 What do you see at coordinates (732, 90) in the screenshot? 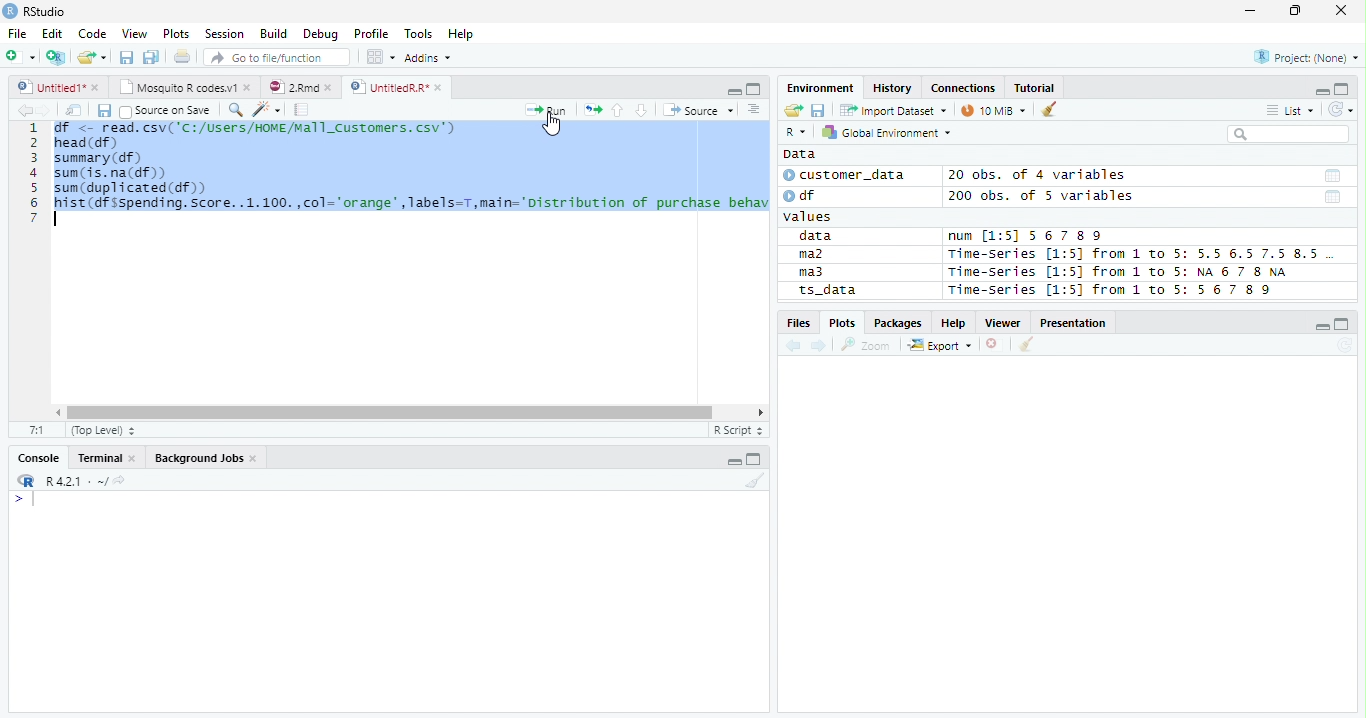
I see `Minimize` at bounding box center [732, 90].